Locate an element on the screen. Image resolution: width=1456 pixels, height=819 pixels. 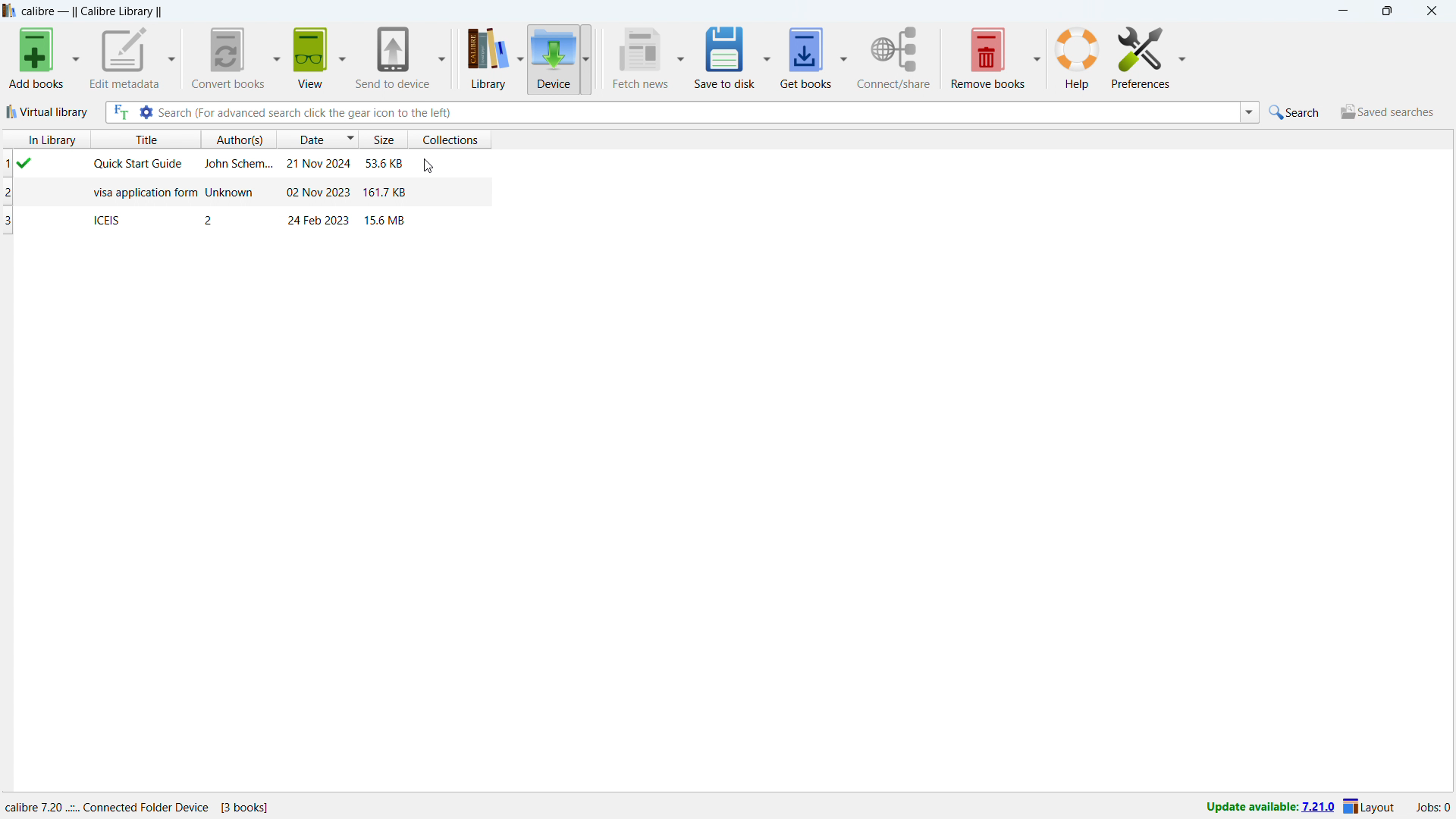
edit metadata options is located at coordinates (172, 60).